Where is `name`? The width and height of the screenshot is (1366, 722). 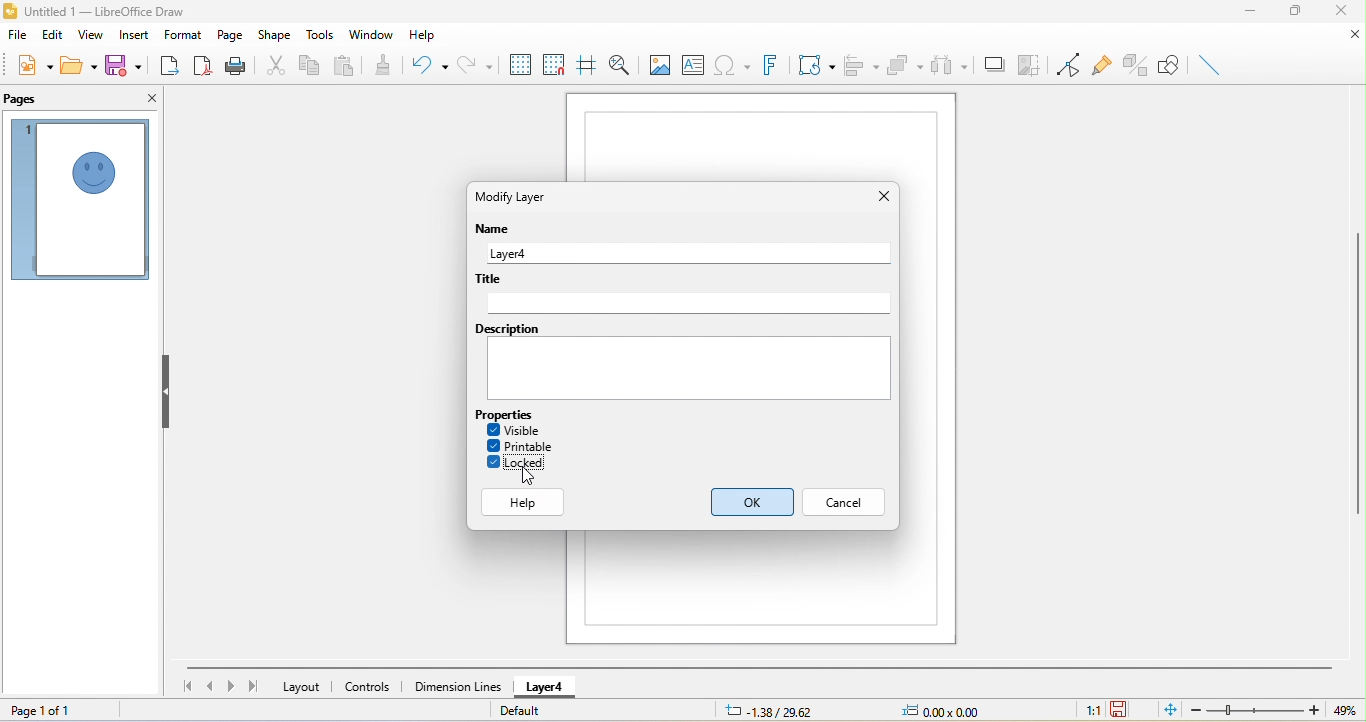 name is located at coordinates (493, 231).